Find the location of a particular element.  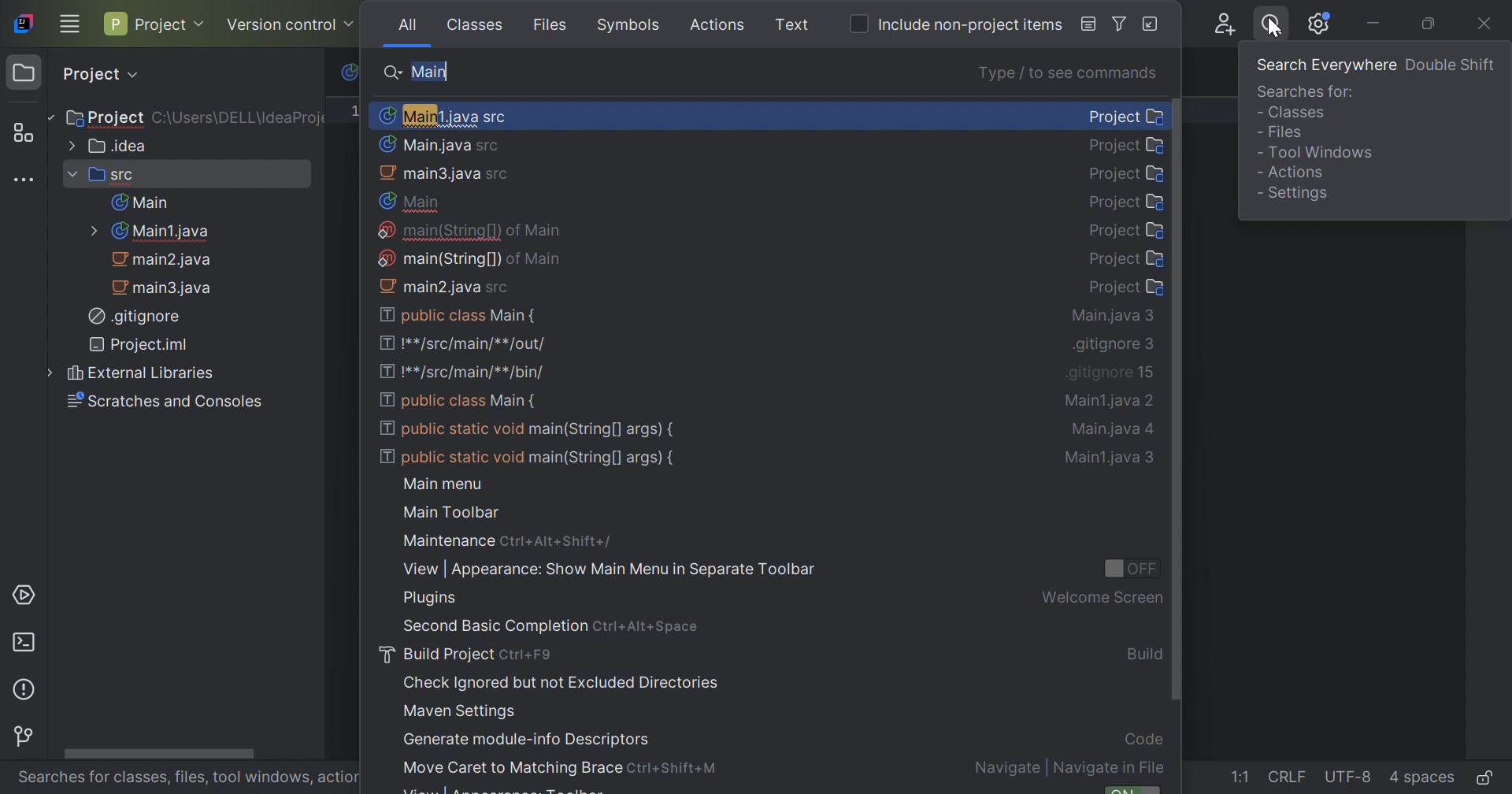

.gitignore is located at coordinates (133, 315).